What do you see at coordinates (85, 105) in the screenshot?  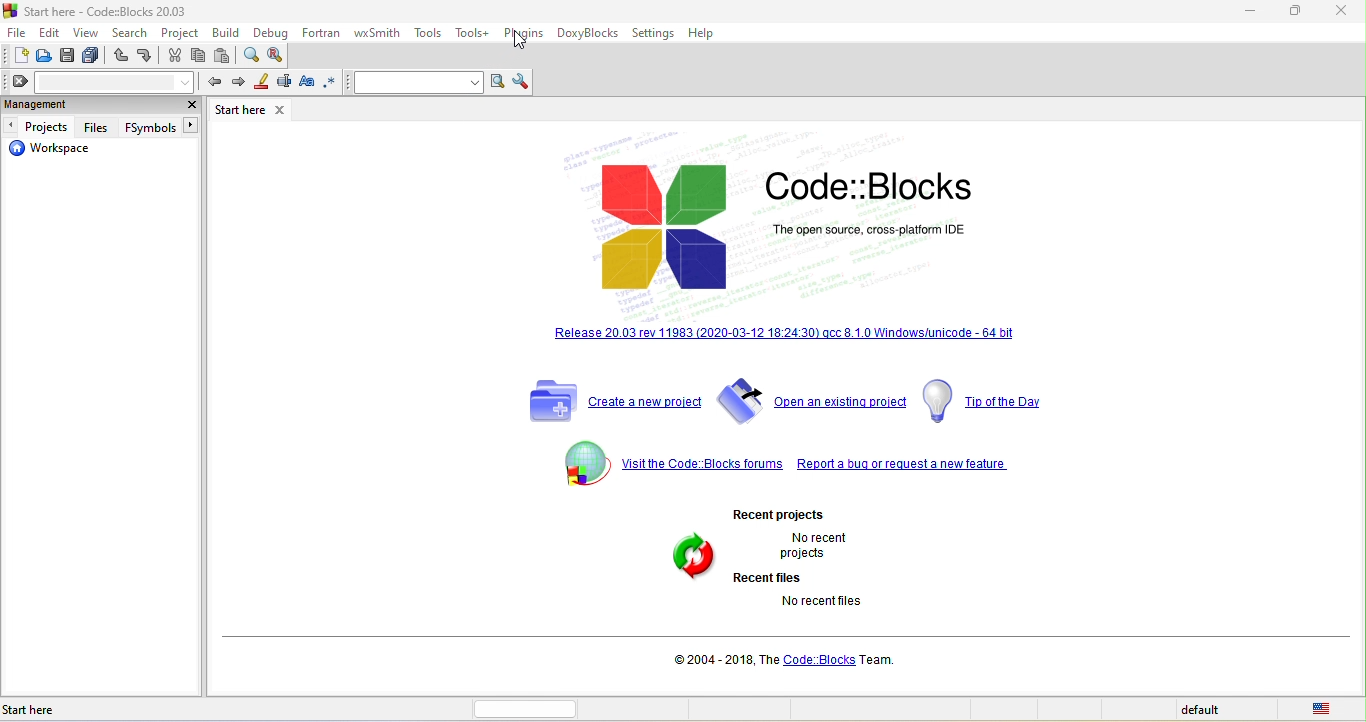 I see `management` at bounding box center [85, 105].